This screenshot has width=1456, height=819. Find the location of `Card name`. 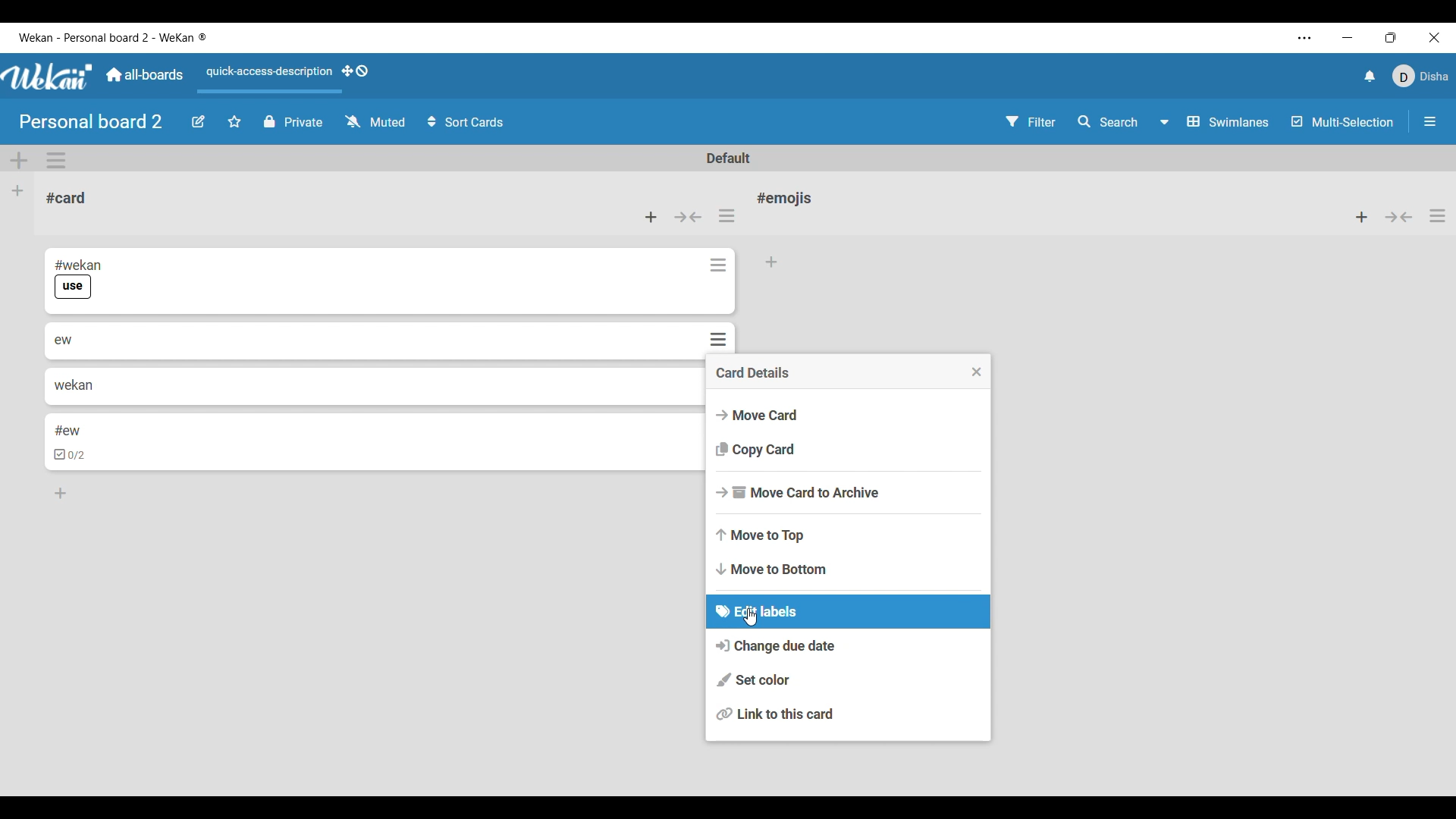

Card name is located at coordinates (788, 198).